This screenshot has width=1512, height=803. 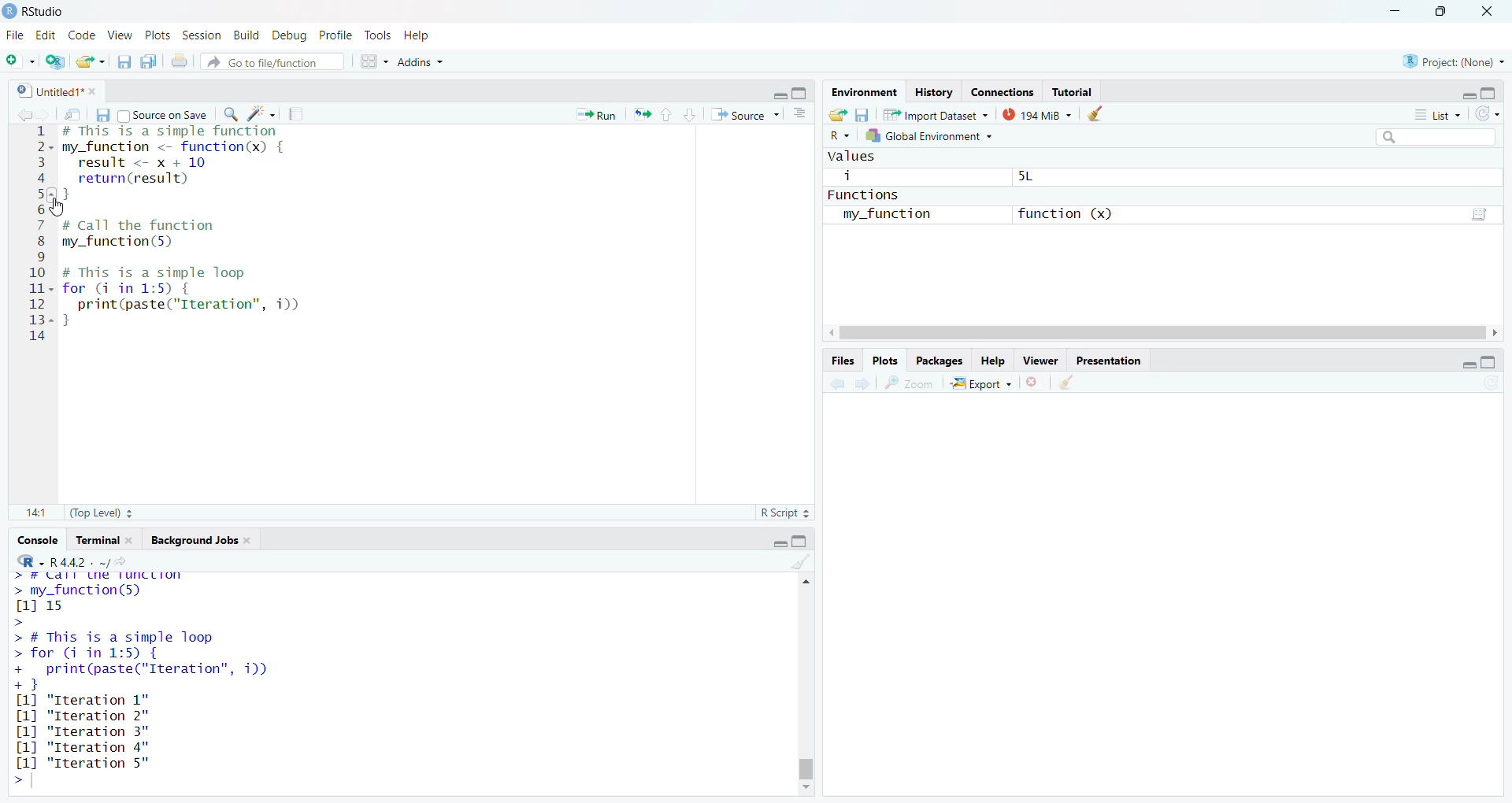 What do you see at coordinates (35, 514) in the screenshot?
I see `14:1` at bounding box center [35, 514].